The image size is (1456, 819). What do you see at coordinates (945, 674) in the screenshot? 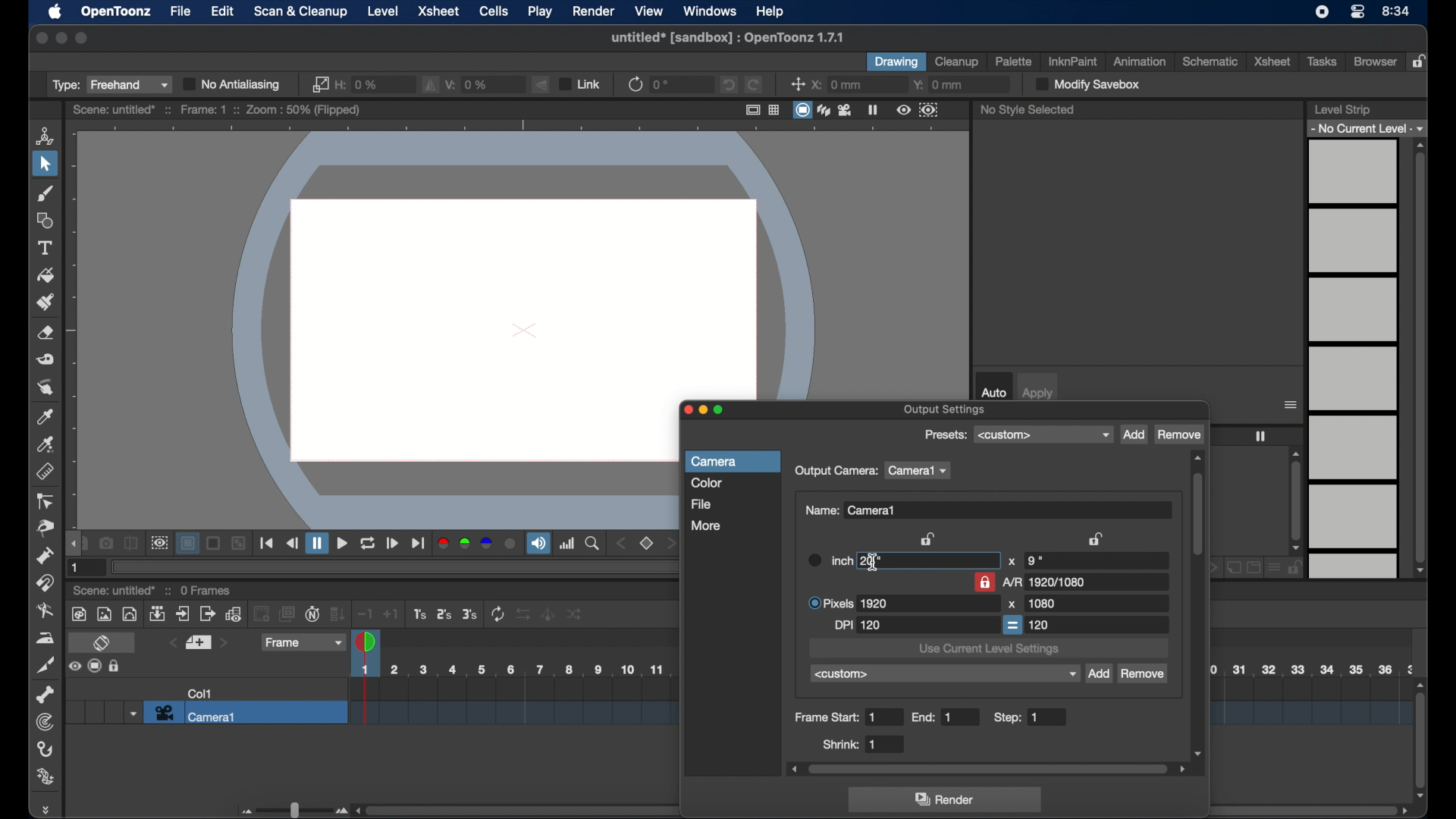
I see `custom` at bounding box center [945, 674].